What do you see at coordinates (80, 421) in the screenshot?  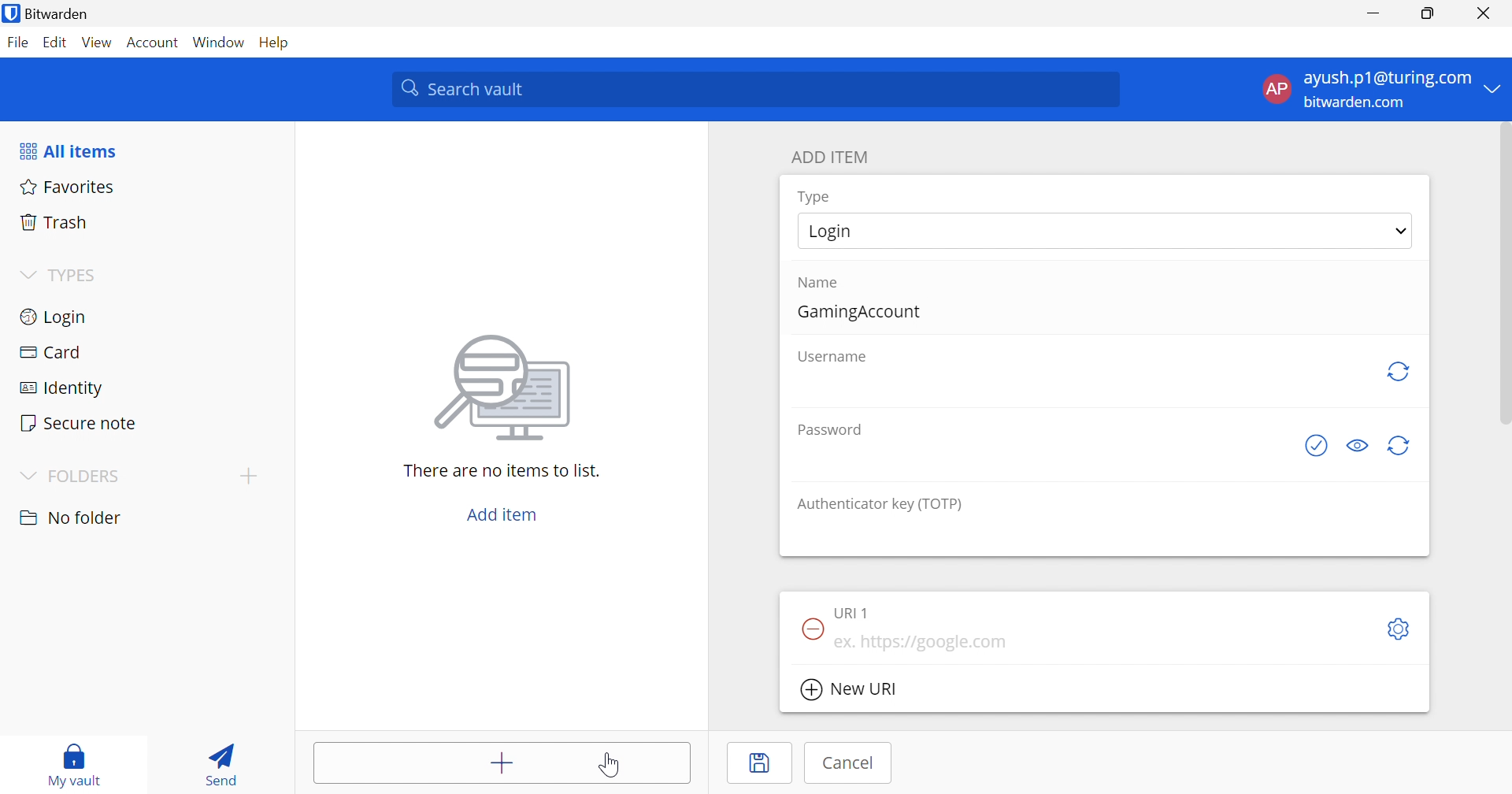 I see `Secure note` at bounding box center [80, 421].